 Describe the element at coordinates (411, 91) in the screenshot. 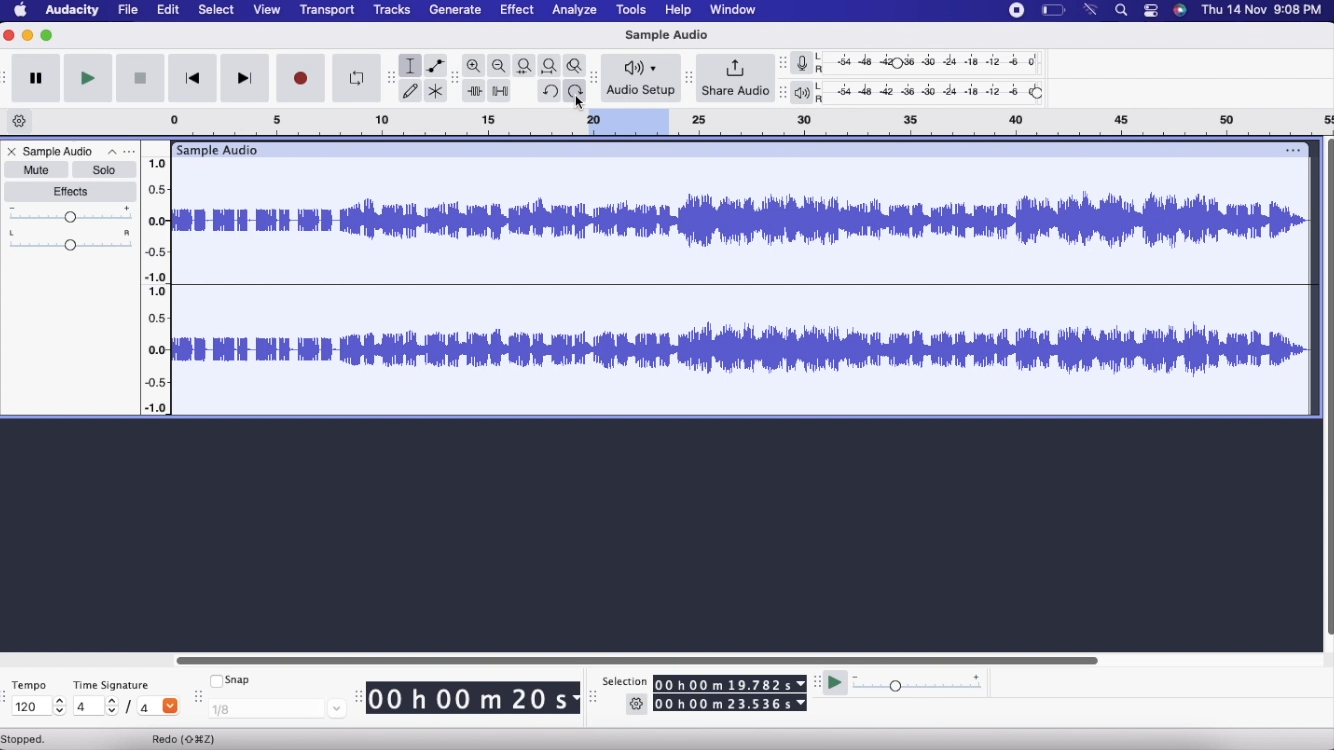

I see `Draw tool` at that location.